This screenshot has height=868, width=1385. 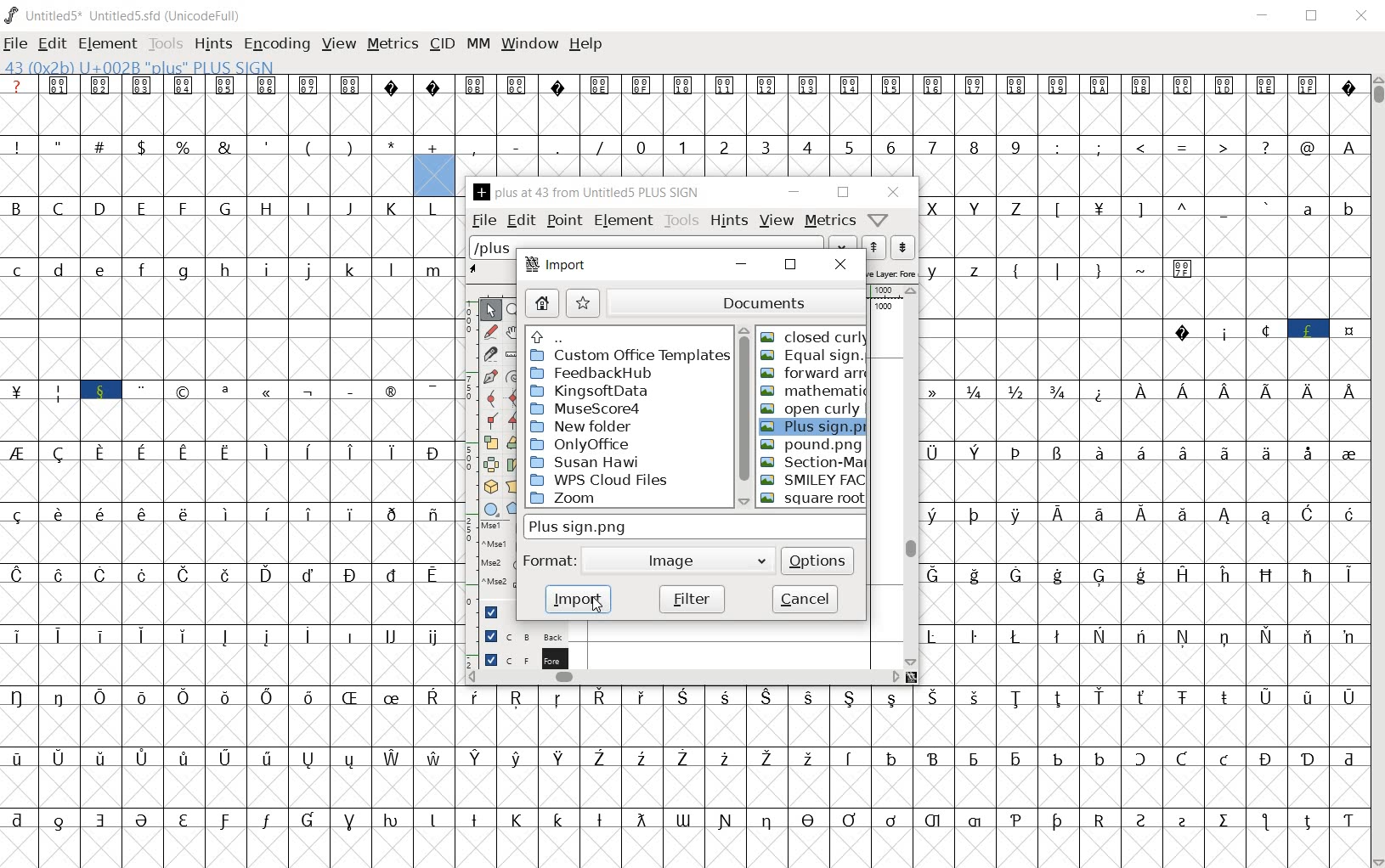 I want to click on polygon or star, so click(x=514, y=507).